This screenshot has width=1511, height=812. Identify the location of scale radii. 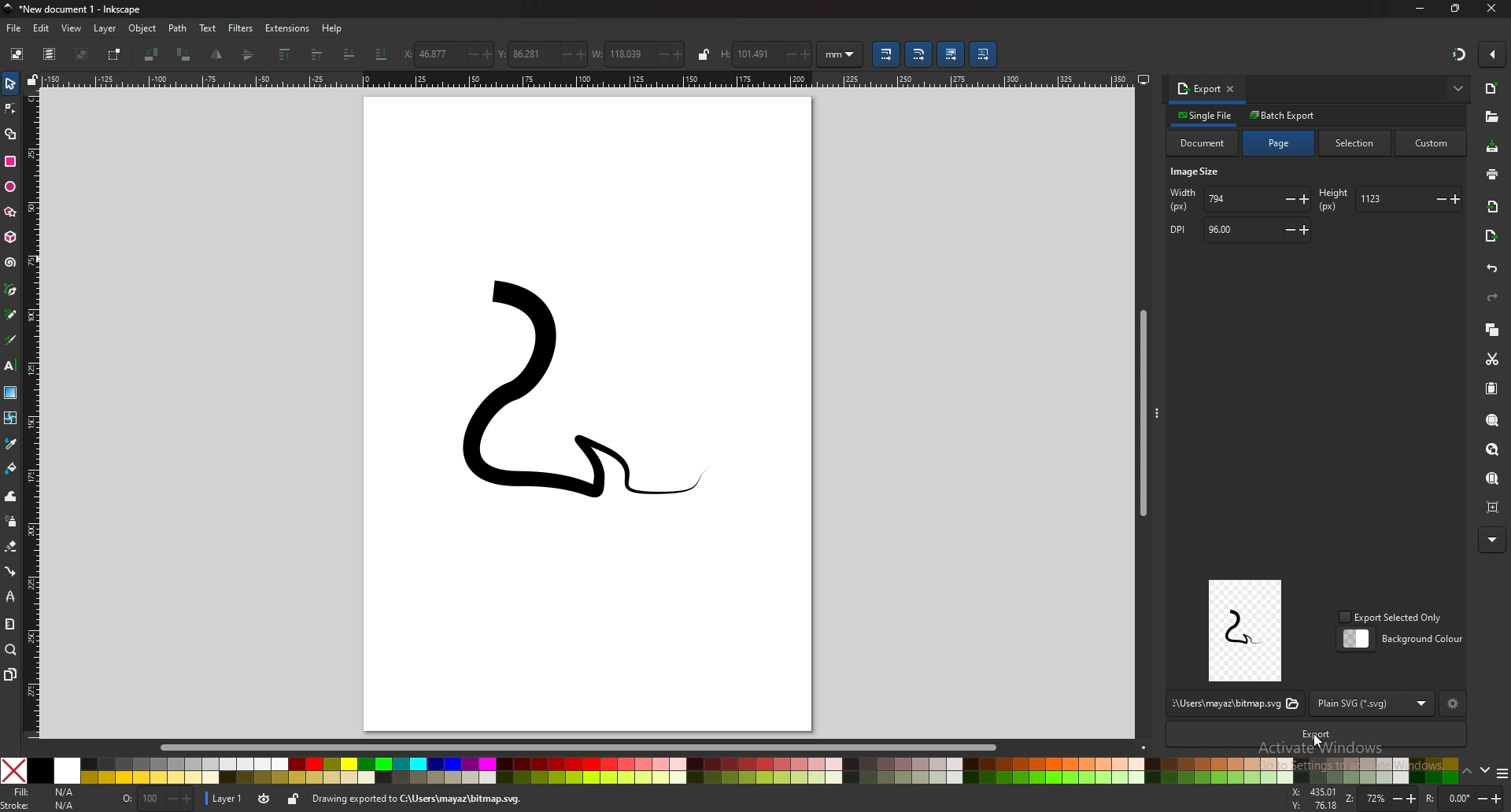
(920, 54).